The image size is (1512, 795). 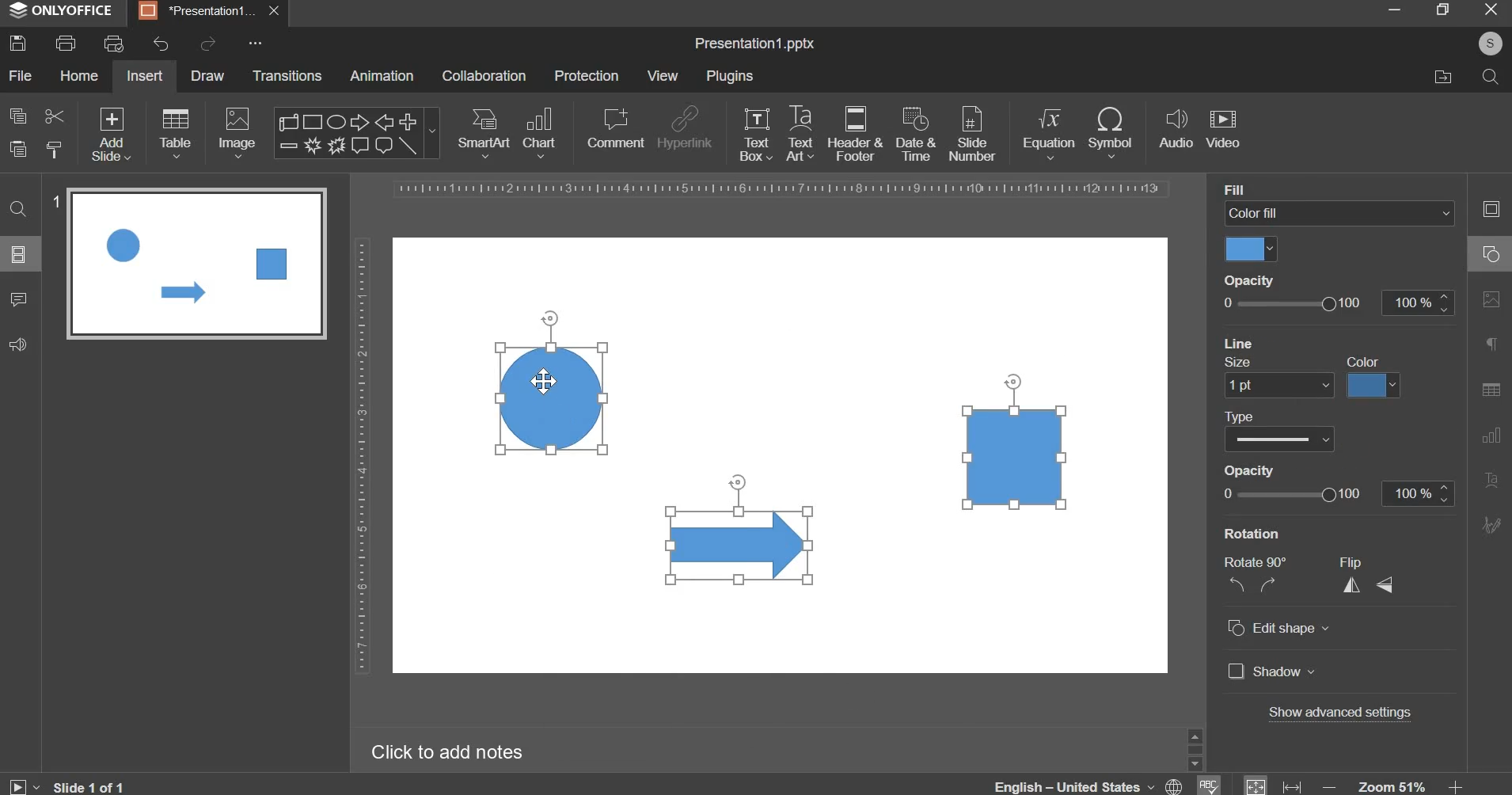 I want to click on print preview, so click(x=113, y=44).